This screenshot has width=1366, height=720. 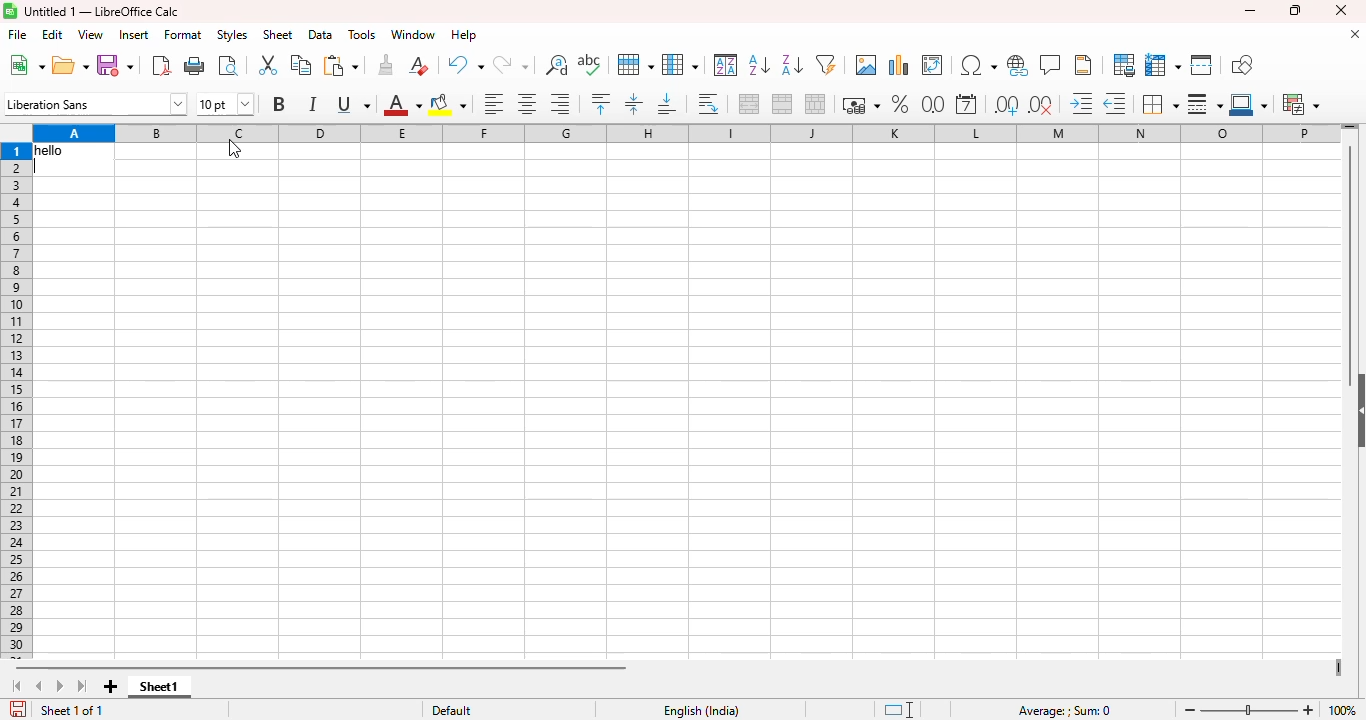 What do you see at coordinates (73, 160) in the screenshot?
I see `line break added within the cell` at bounding box center [73, 160].